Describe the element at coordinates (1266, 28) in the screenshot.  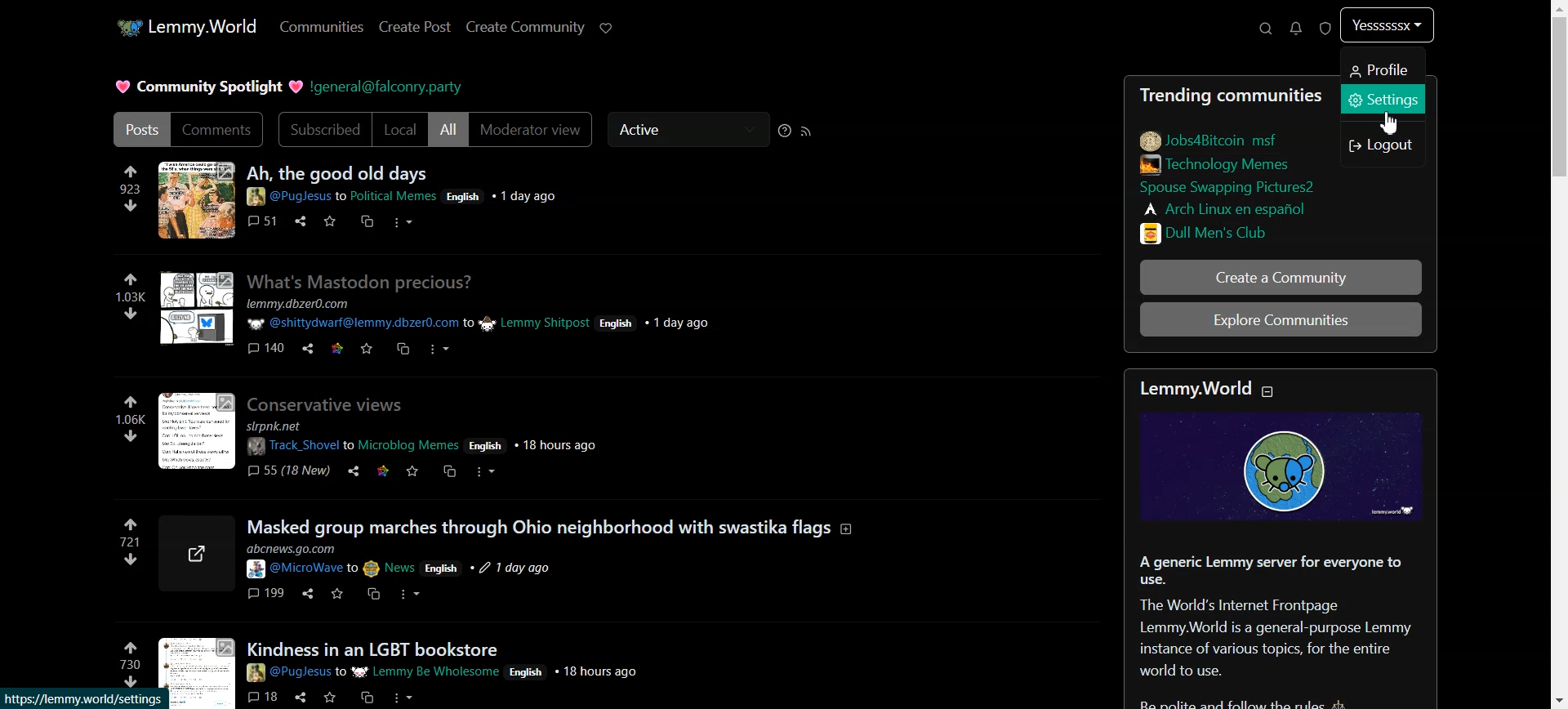
I see `Search` at that location.